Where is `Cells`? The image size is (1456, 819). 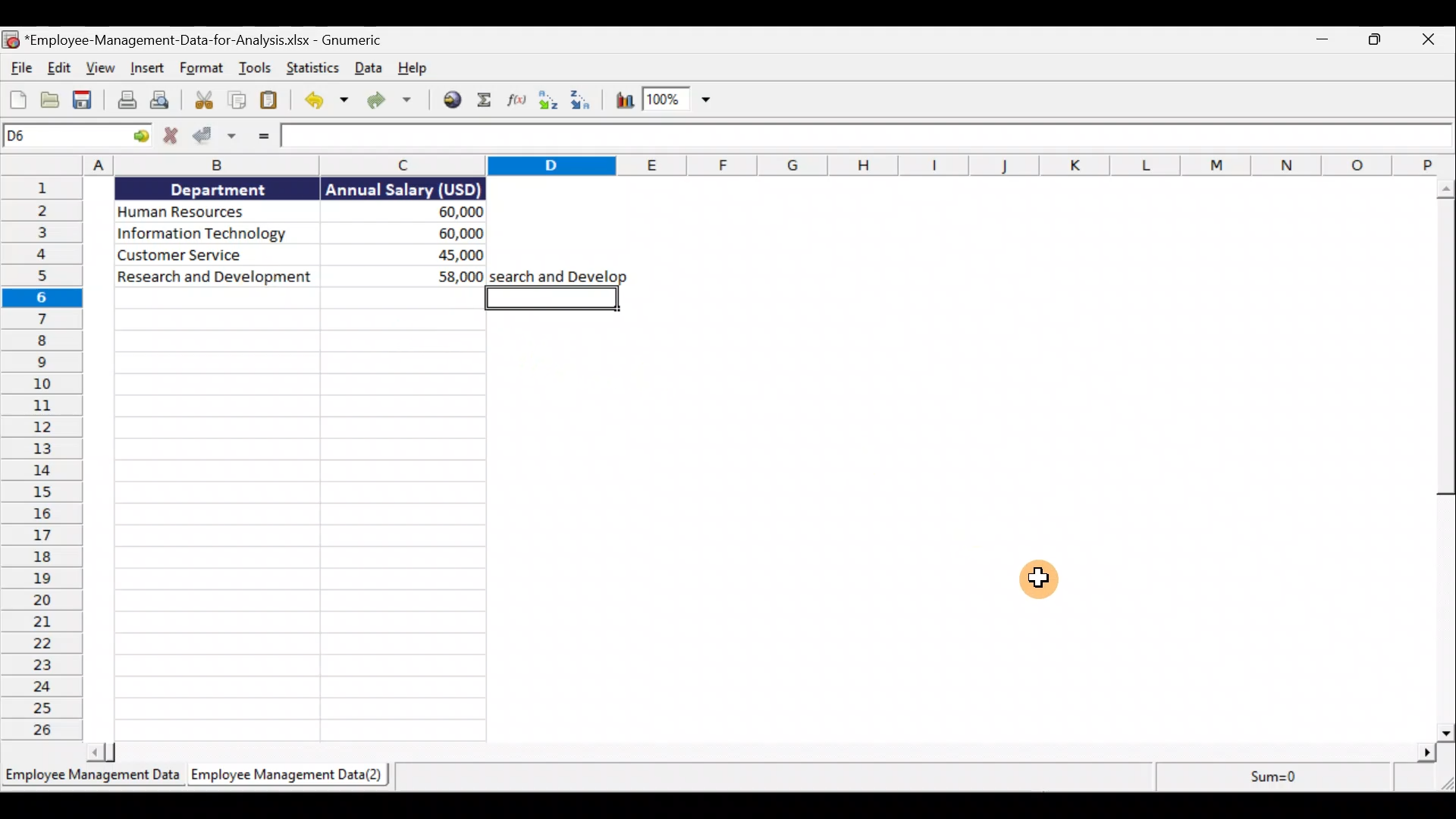
Cells is located at coordinates (297, 516).